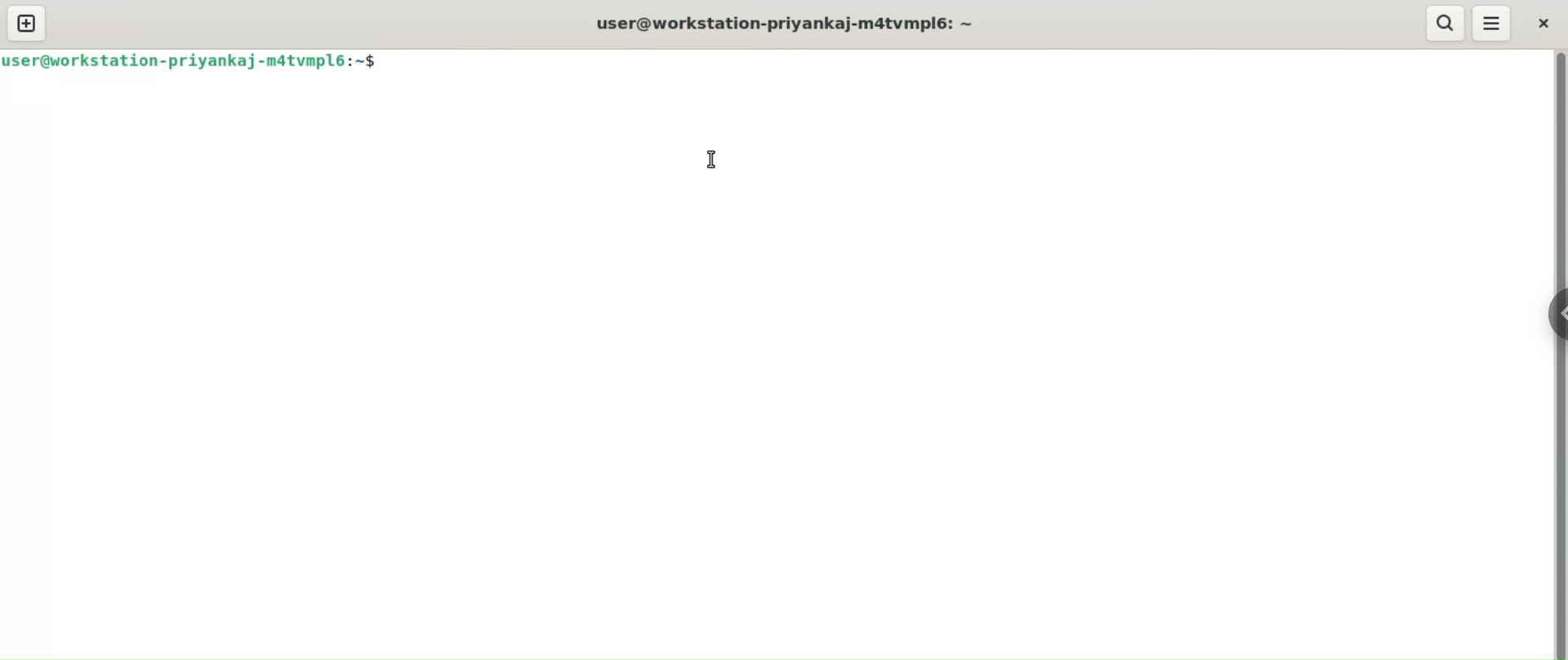  Describe the element at coordinates (1444, 23) in the screenshot. I see `search` at that location.